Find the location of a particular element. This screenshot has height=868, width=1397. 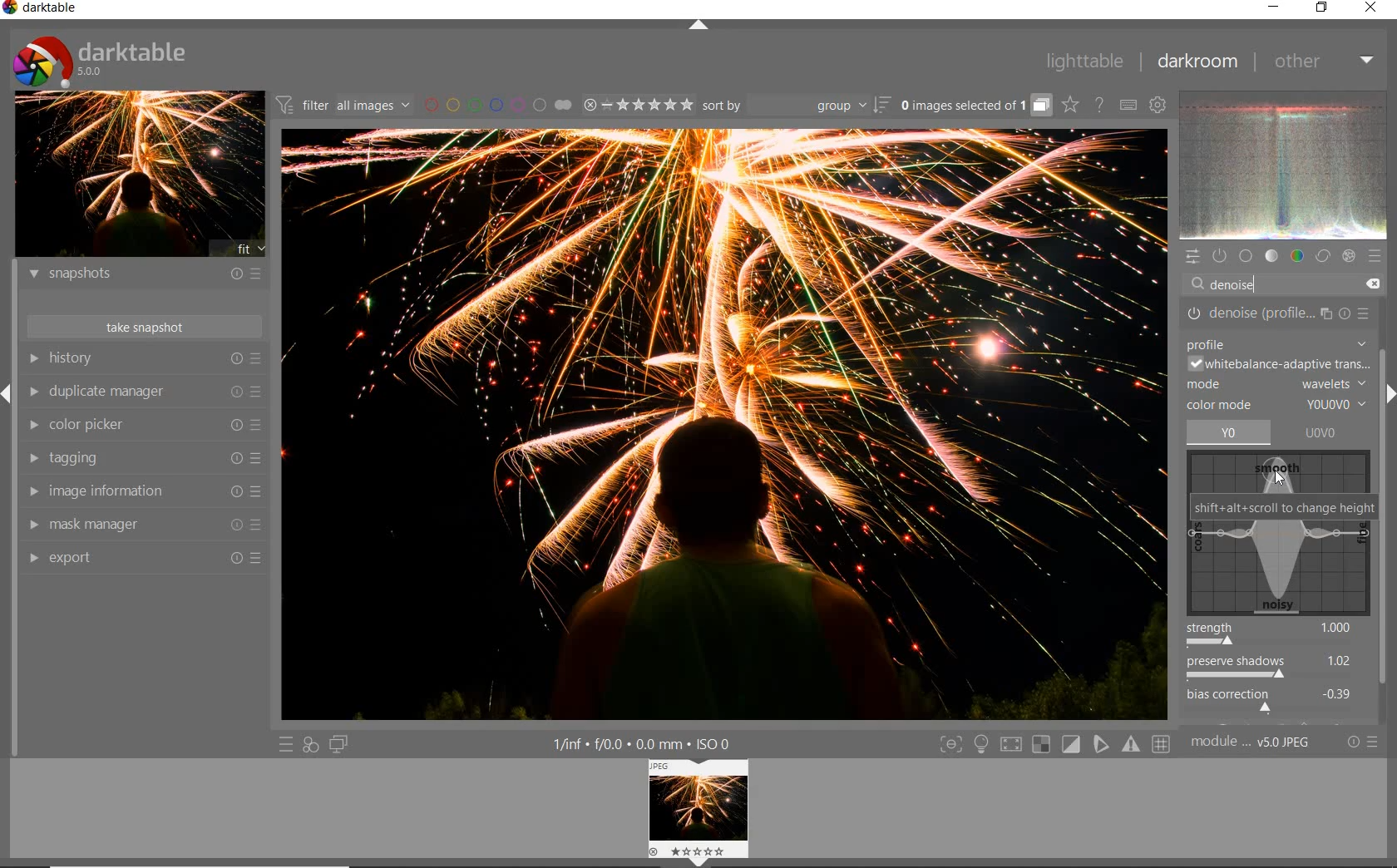

WHITEBALANCE-ADAPTIVE TRANSITION is located at coordinates (1277, 365).